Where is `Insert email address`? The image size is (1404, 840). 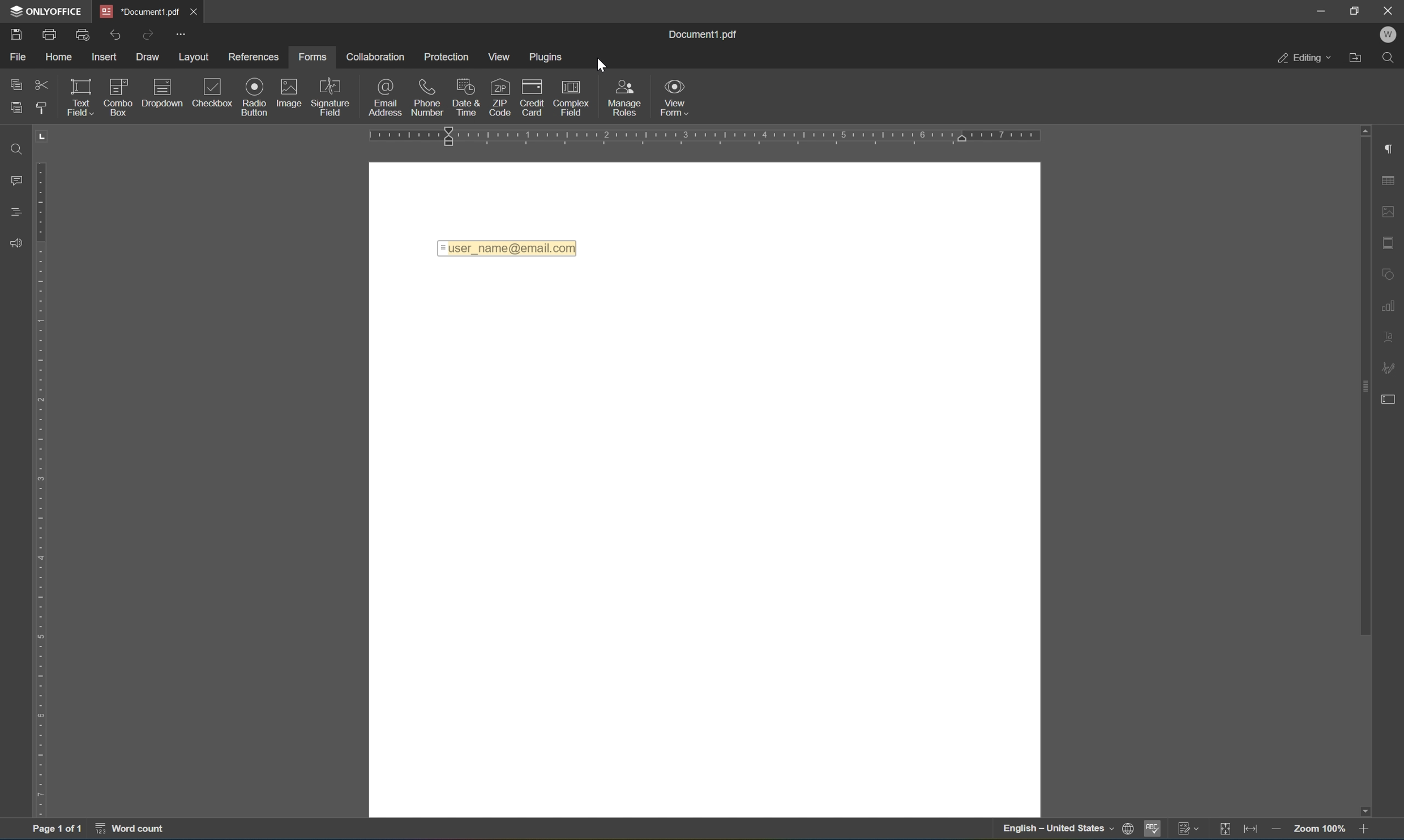 Insert email address is located at coordinates (450, 115).